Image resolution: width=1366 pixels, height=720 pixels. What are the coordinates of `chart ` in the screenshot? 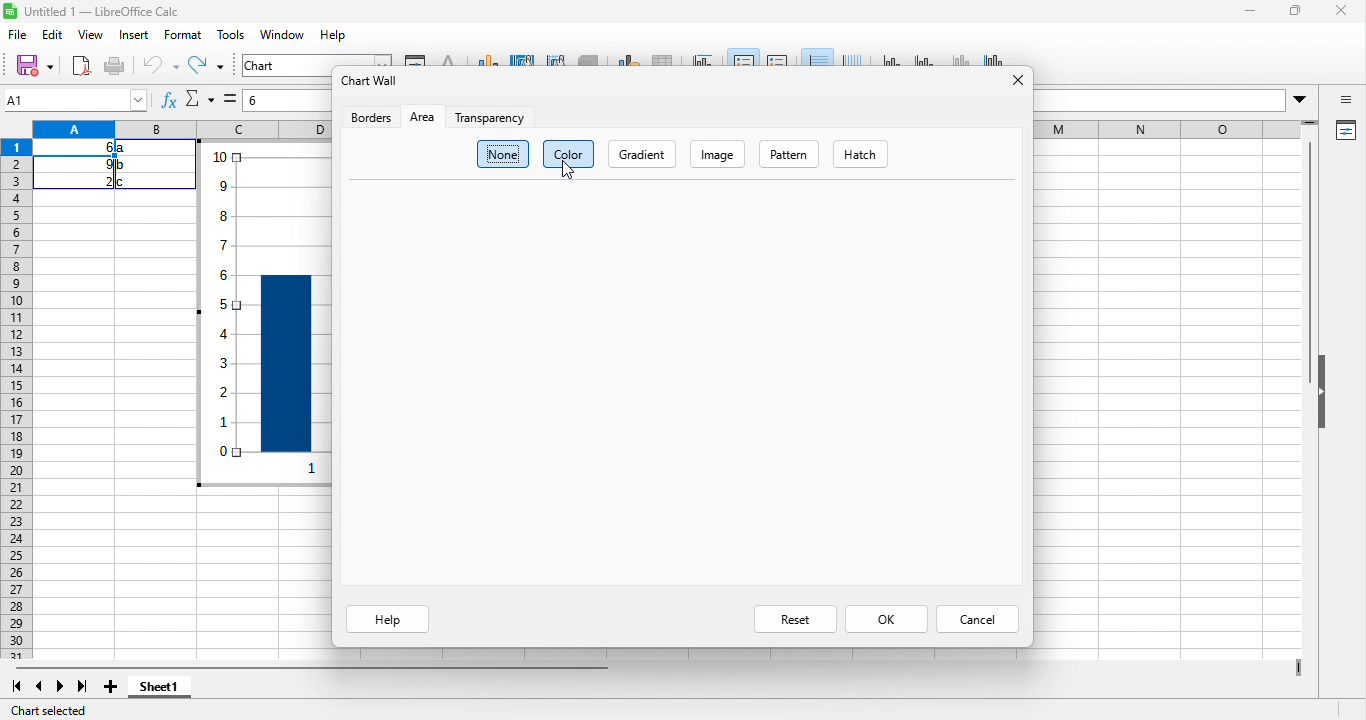 It's located at (283, 65).